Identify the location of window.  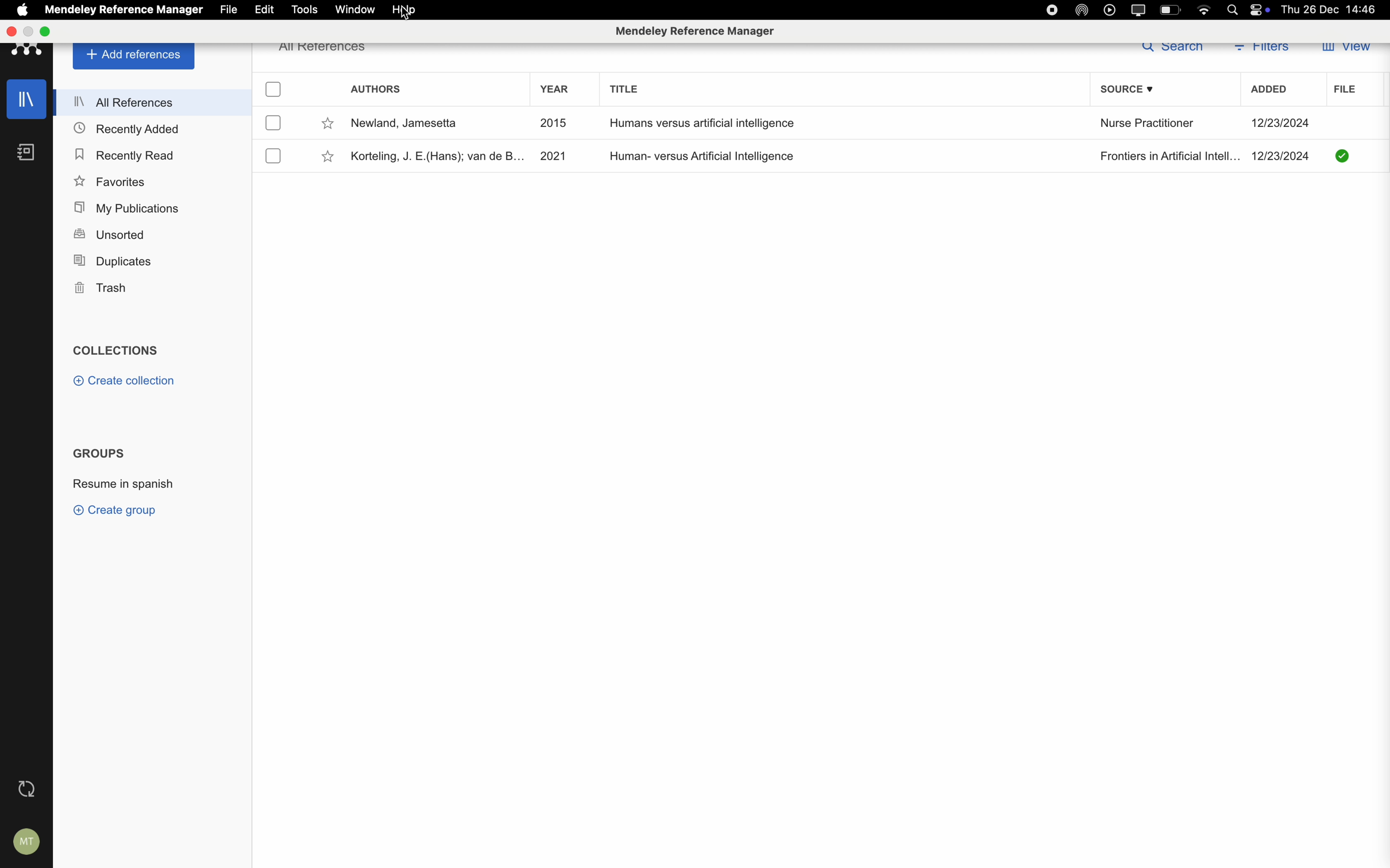
(354, 9).